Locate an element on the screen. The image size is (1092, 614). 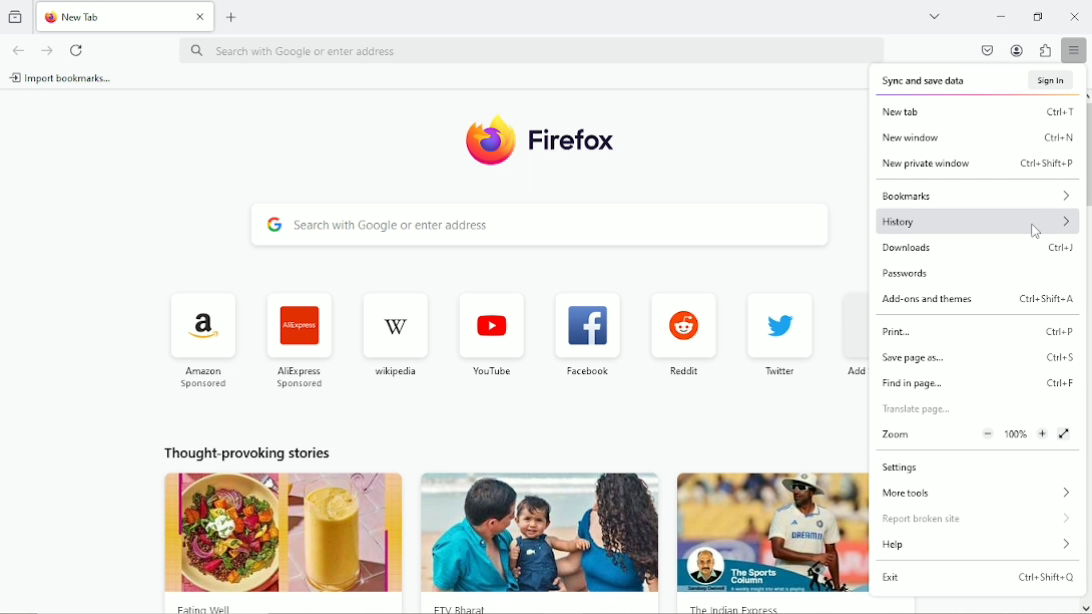
Translate page is located at coordinates (923, 410).